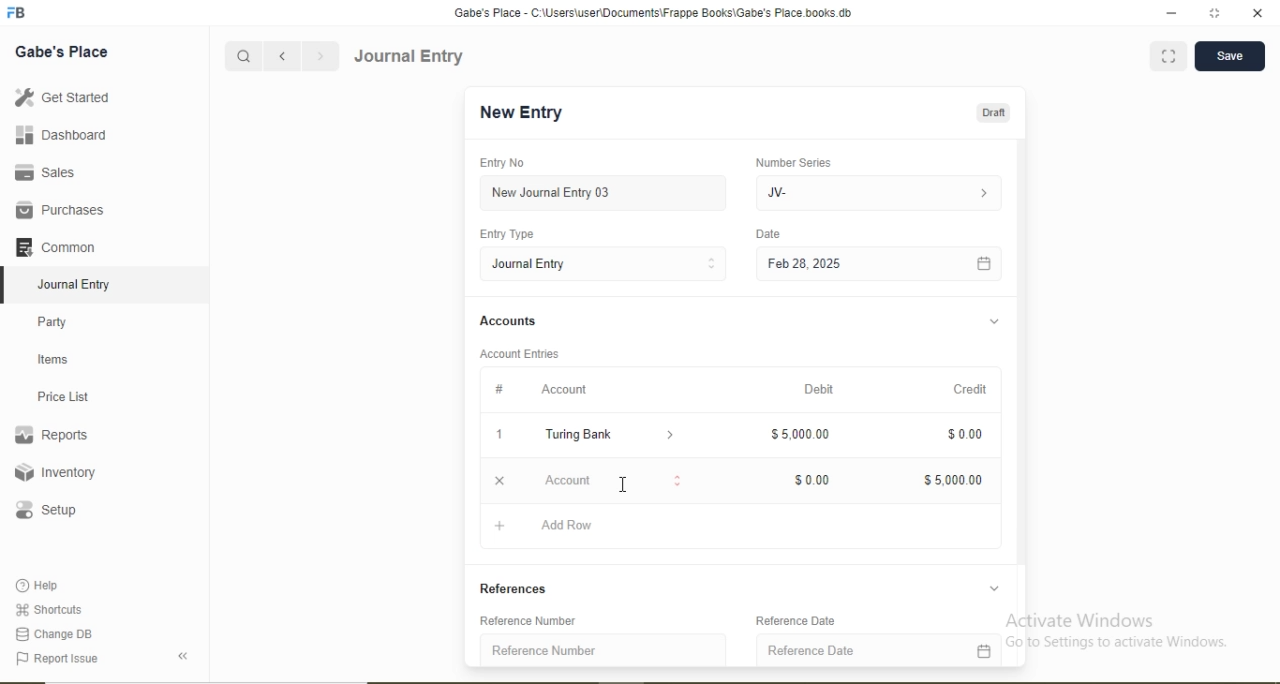  I want to click on #, so click(500, 388).